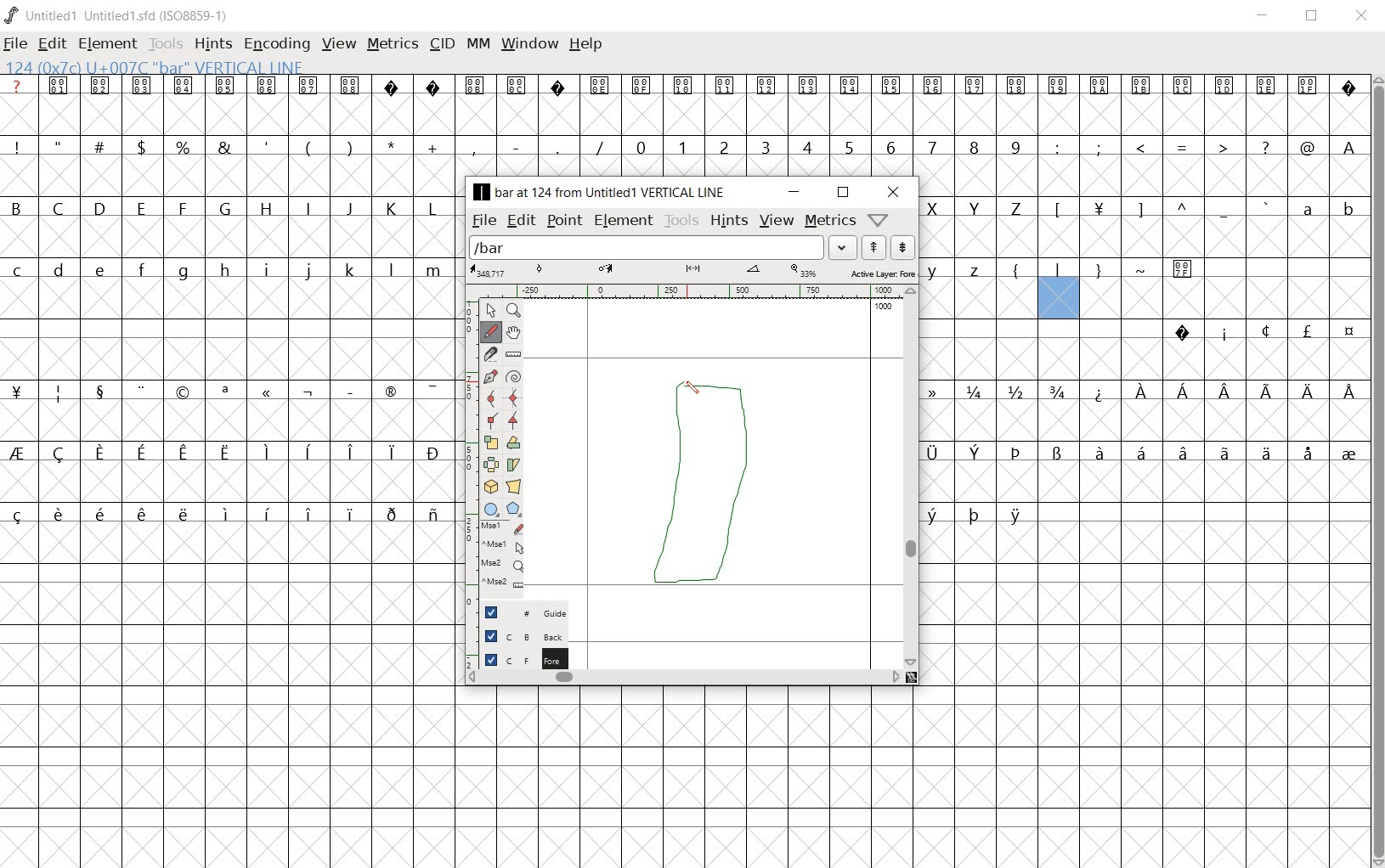 This screenshot has width=1385, height=868. I want to click on encoding, so click(278, 43).